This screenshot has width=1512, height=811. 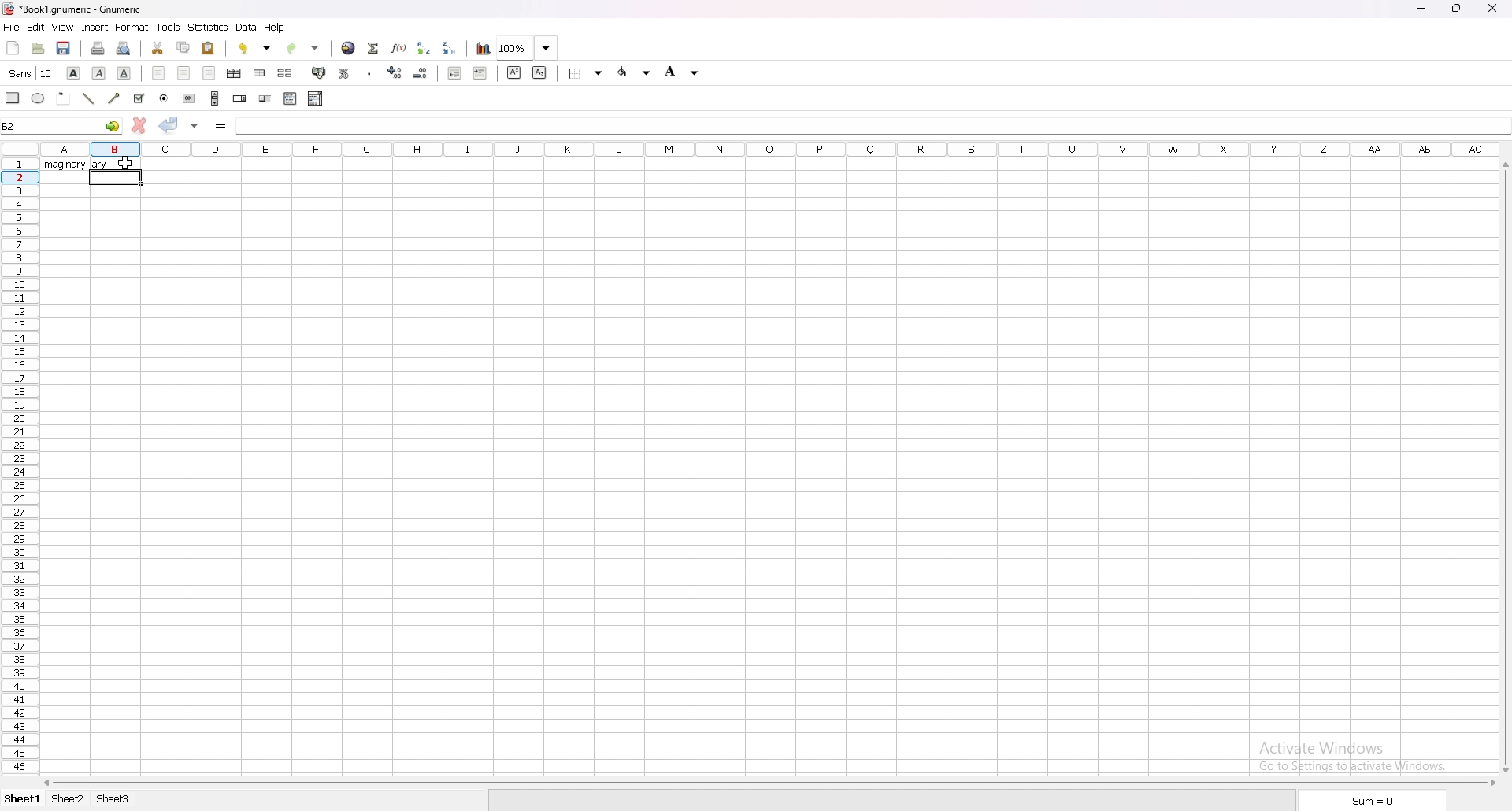 What do you see at coordinates (73, 73) in the screenshot?
I see `bold` at bounding box center [73, 73].